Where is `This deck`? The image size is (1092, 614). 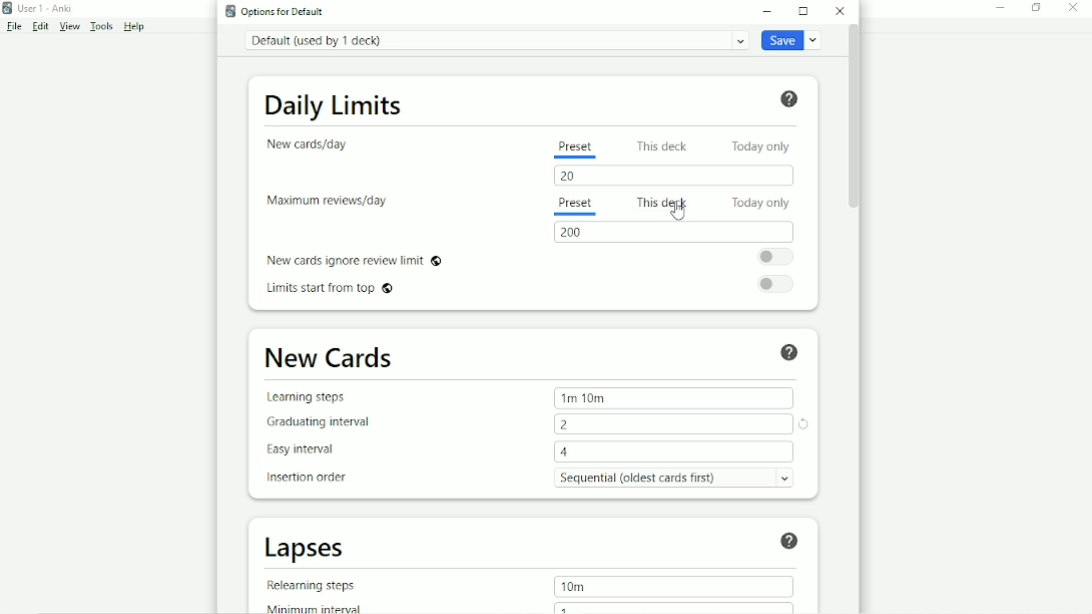 This deck is located at coordinates (663, 200).